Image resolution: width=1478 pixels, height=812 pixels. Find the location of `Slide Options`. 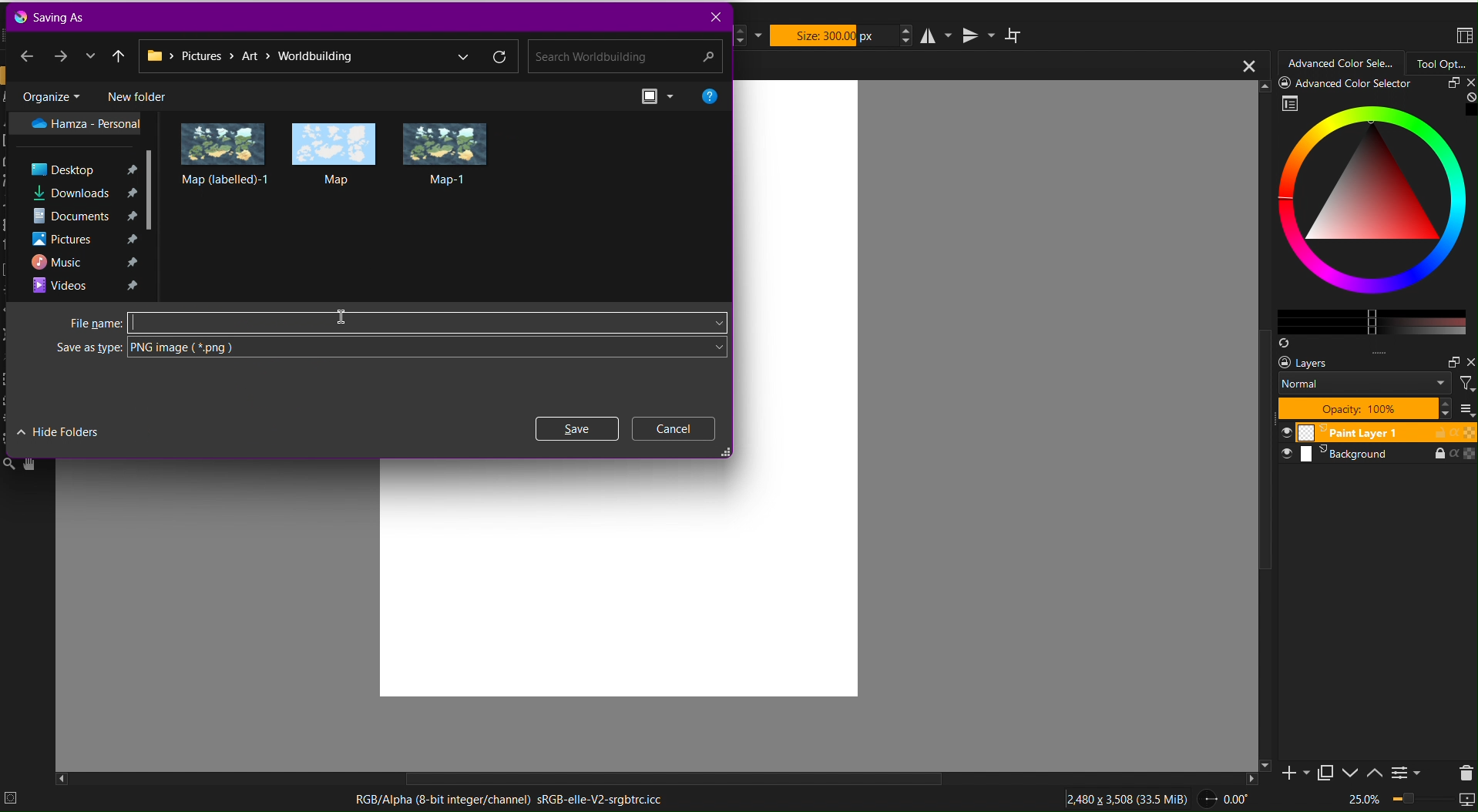

Slide Options is located at coordinates (1353, 773).